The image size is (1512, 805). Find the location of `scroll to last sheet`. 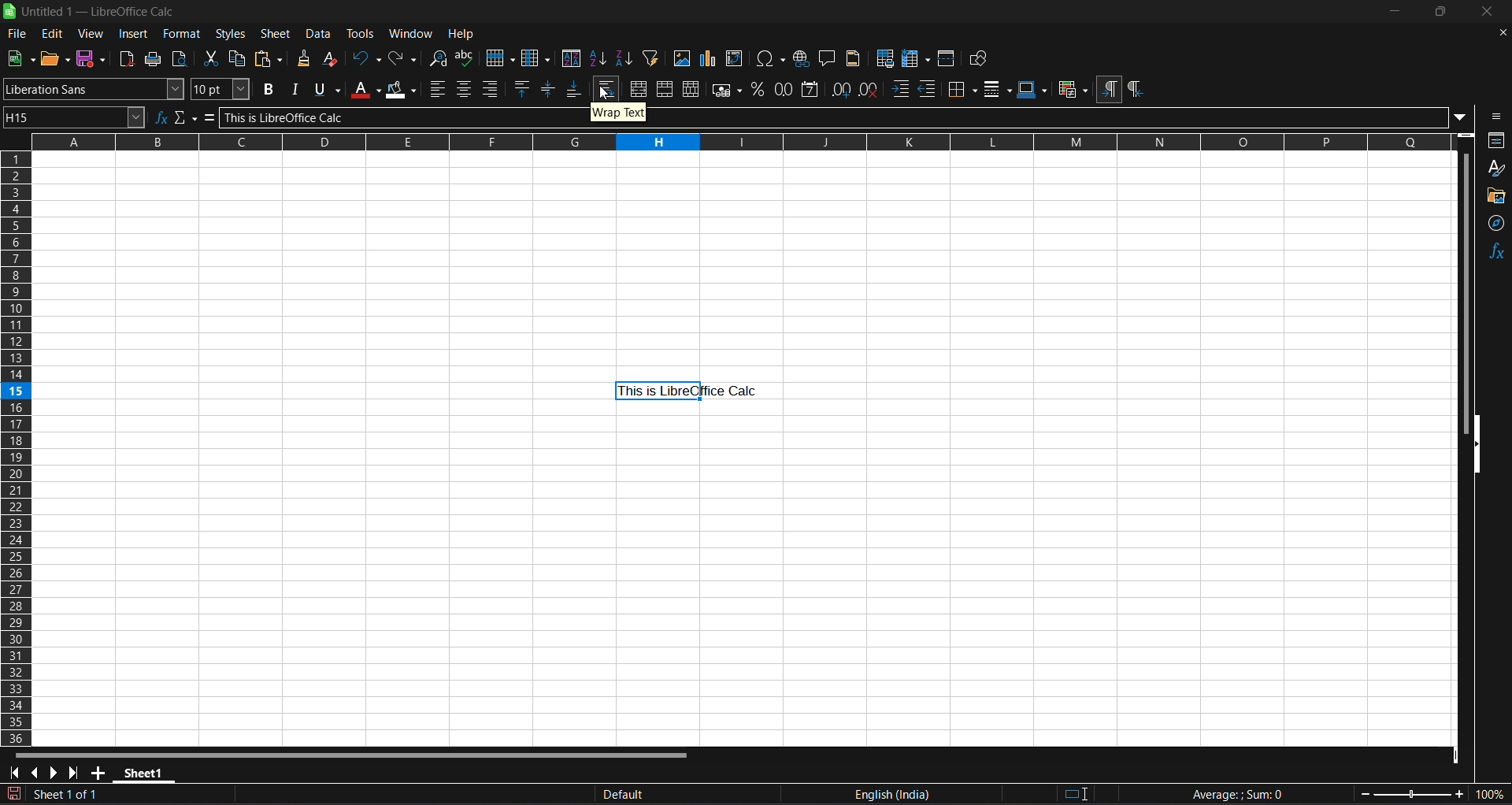

scroll to last sheet is located at coordinates (76, 772).